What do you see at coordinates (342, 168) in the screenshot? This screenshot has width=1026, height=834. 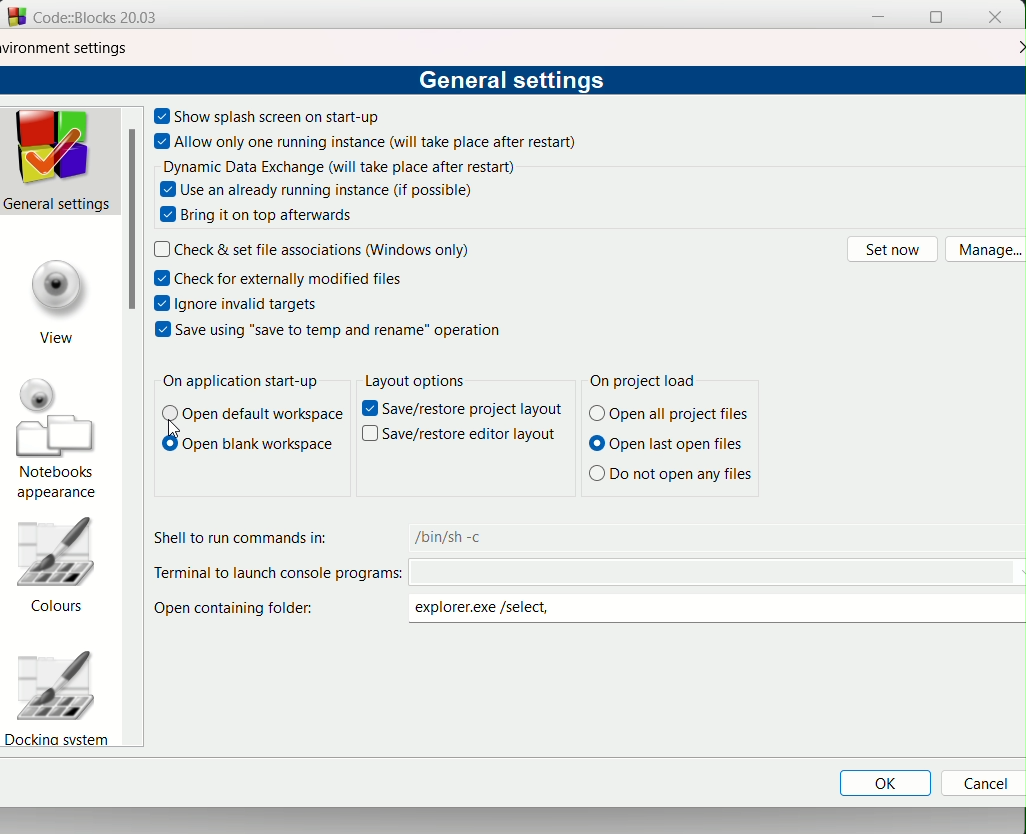 I see `text` at bounding box center [342, 168].